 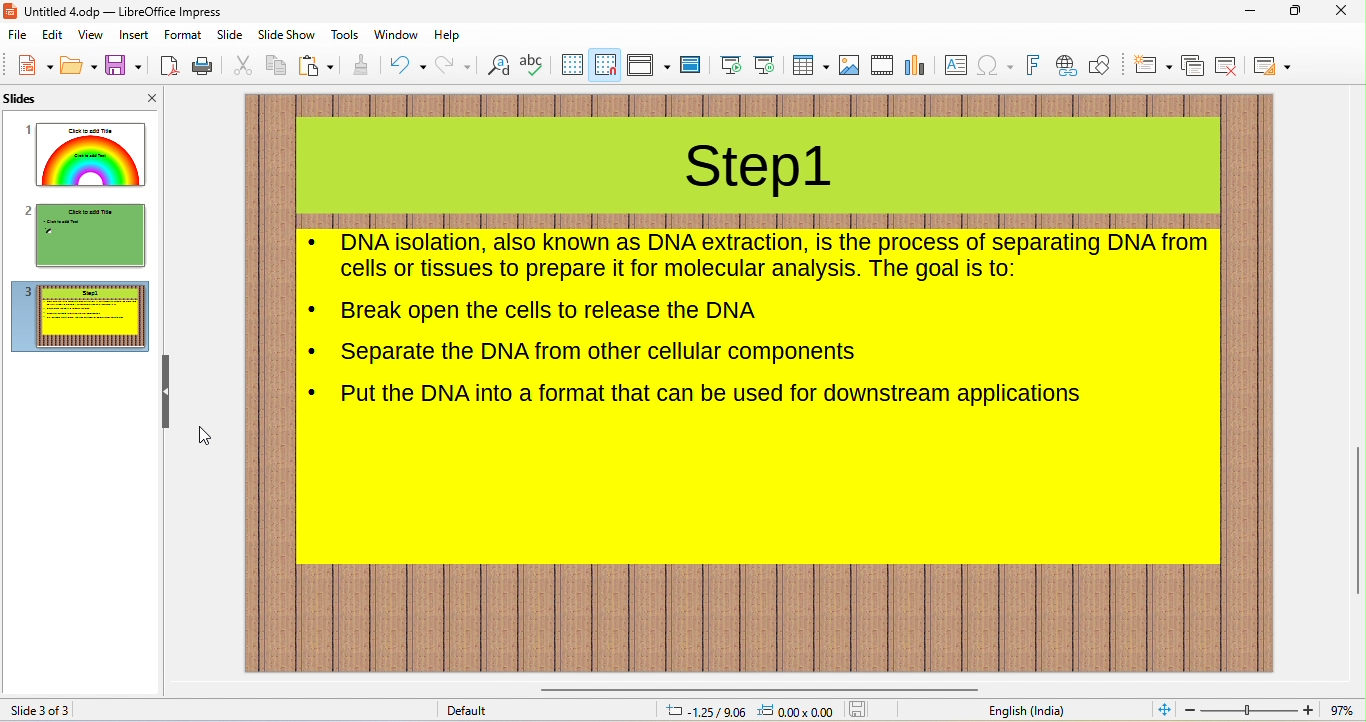 What do you see at coordinates (81, 317) in the screenshot?
I see `slide3` at bounding box center [81, 317].